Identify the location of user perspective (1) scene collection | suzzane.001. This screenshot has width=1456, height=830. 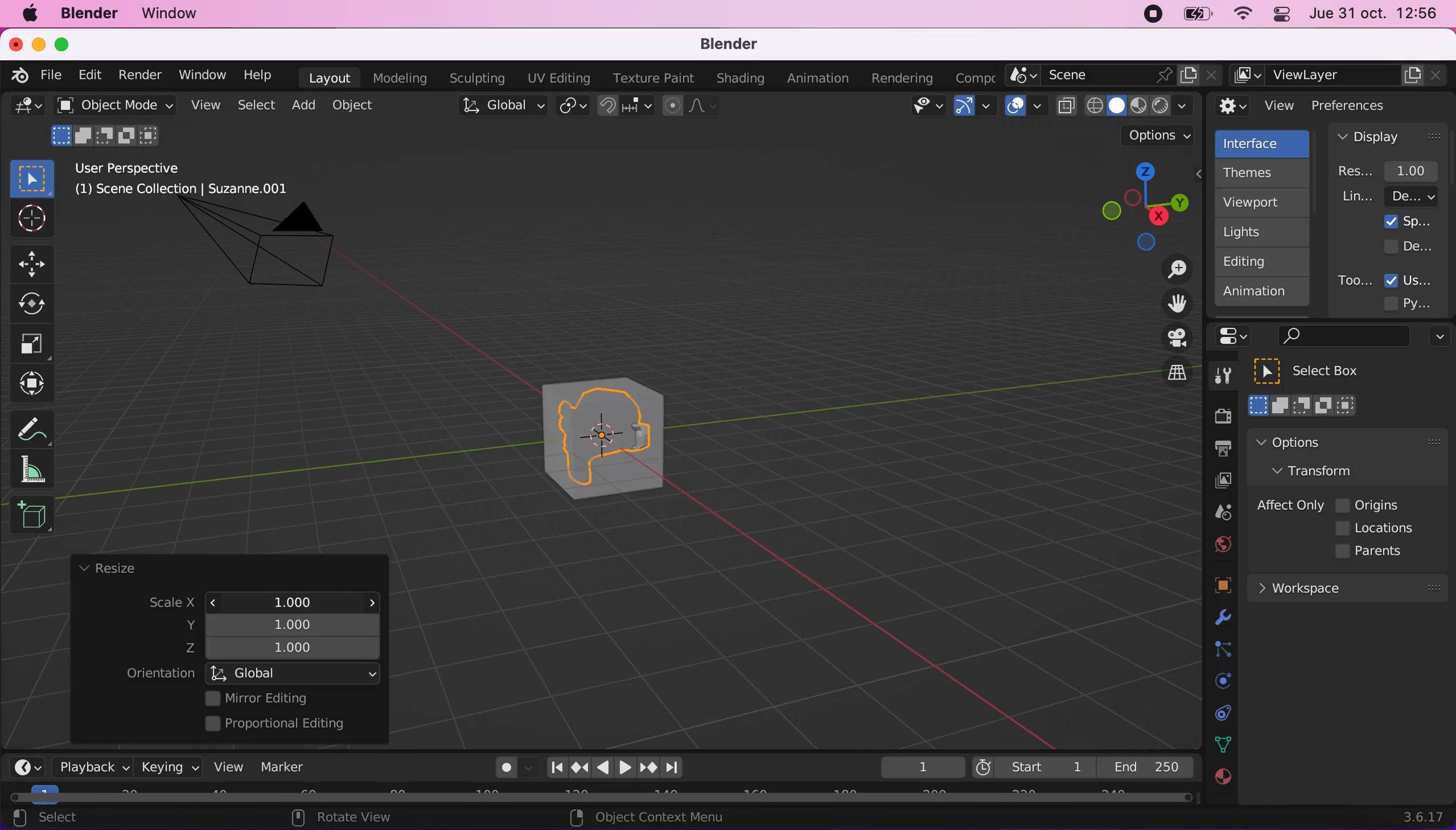
(190, 180).